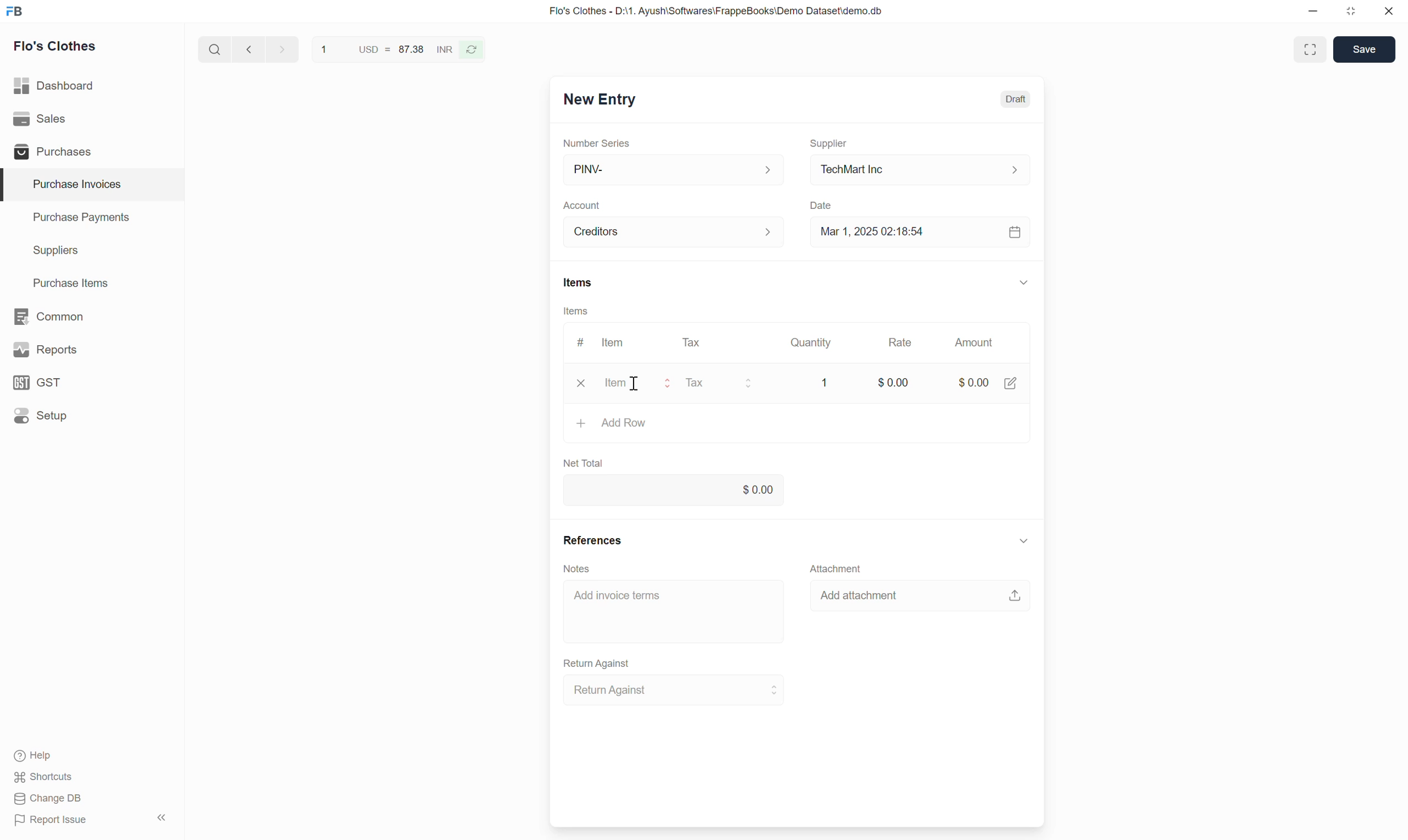 The height and width of the screenshot is (840, 1408). I want to click on Add Row, so click(797, 423).